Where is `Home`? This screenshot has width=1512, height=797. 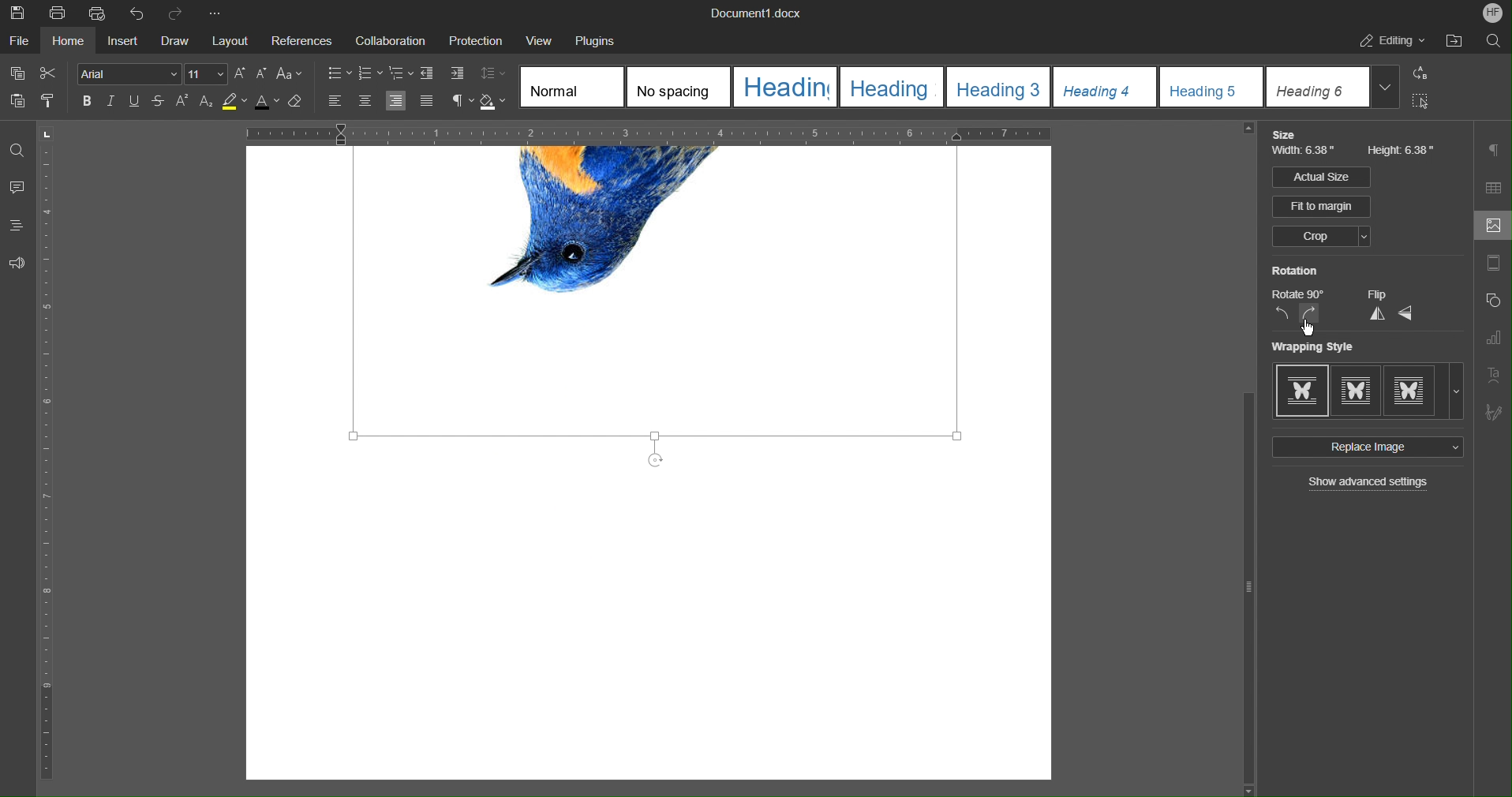
Home is located at coordinates (67, 39).